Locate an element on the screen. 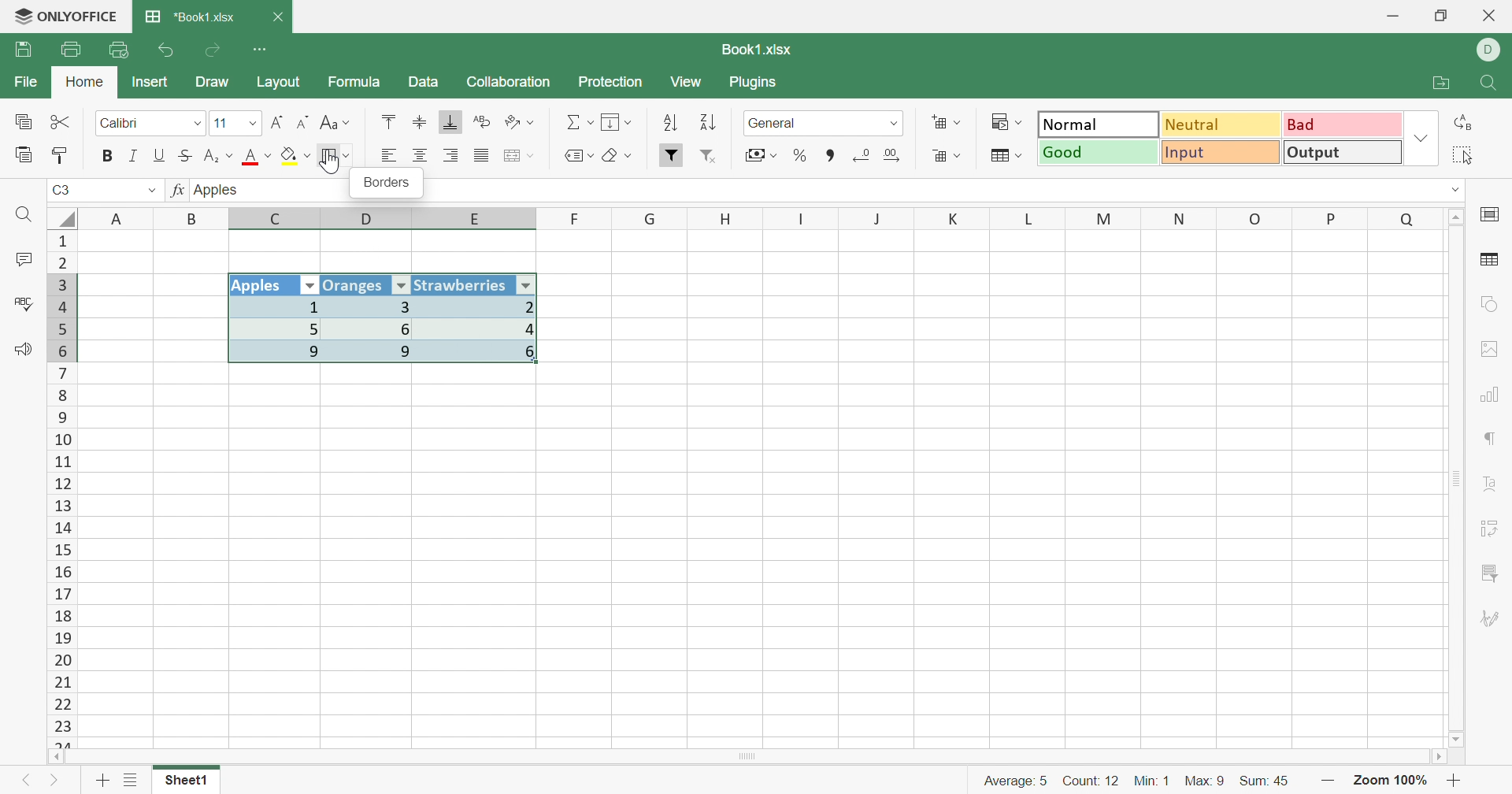  Calibri is located at coordinates (120, 124).